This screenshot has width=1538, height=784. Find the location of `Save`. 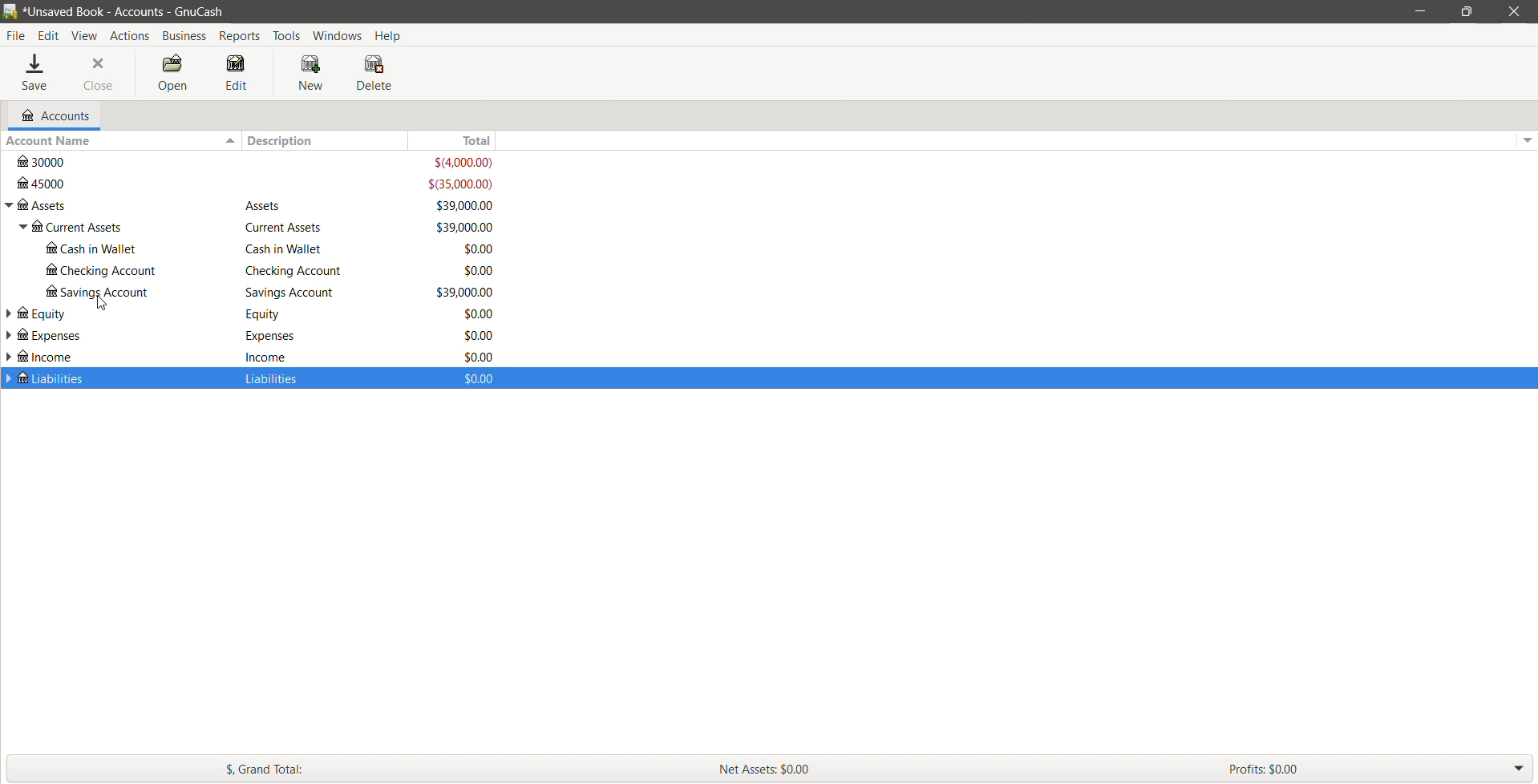

Save is located at coordinates (37, 71).